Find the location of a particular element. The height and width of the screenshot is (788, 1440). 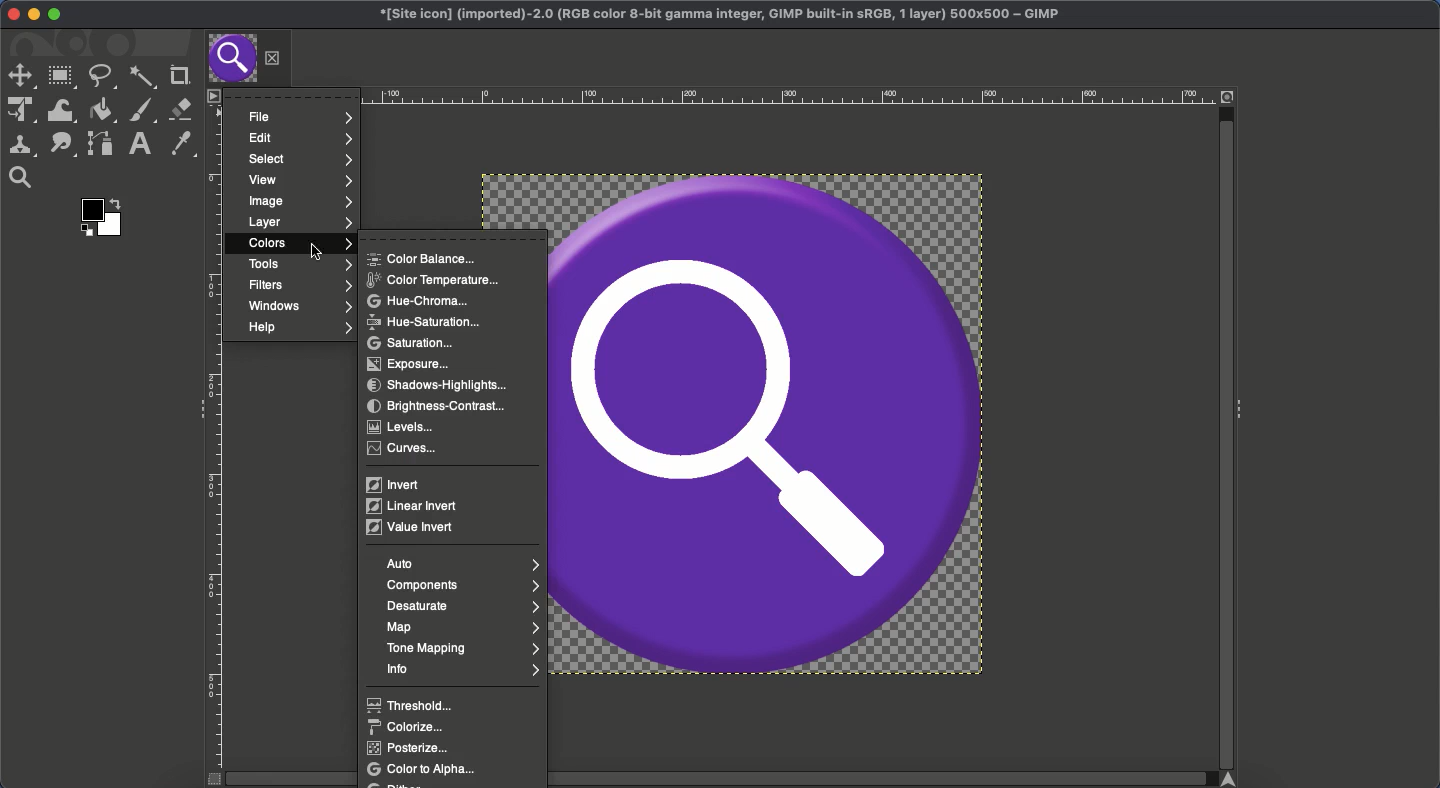

Posterize is located at coordinates (412, 747).